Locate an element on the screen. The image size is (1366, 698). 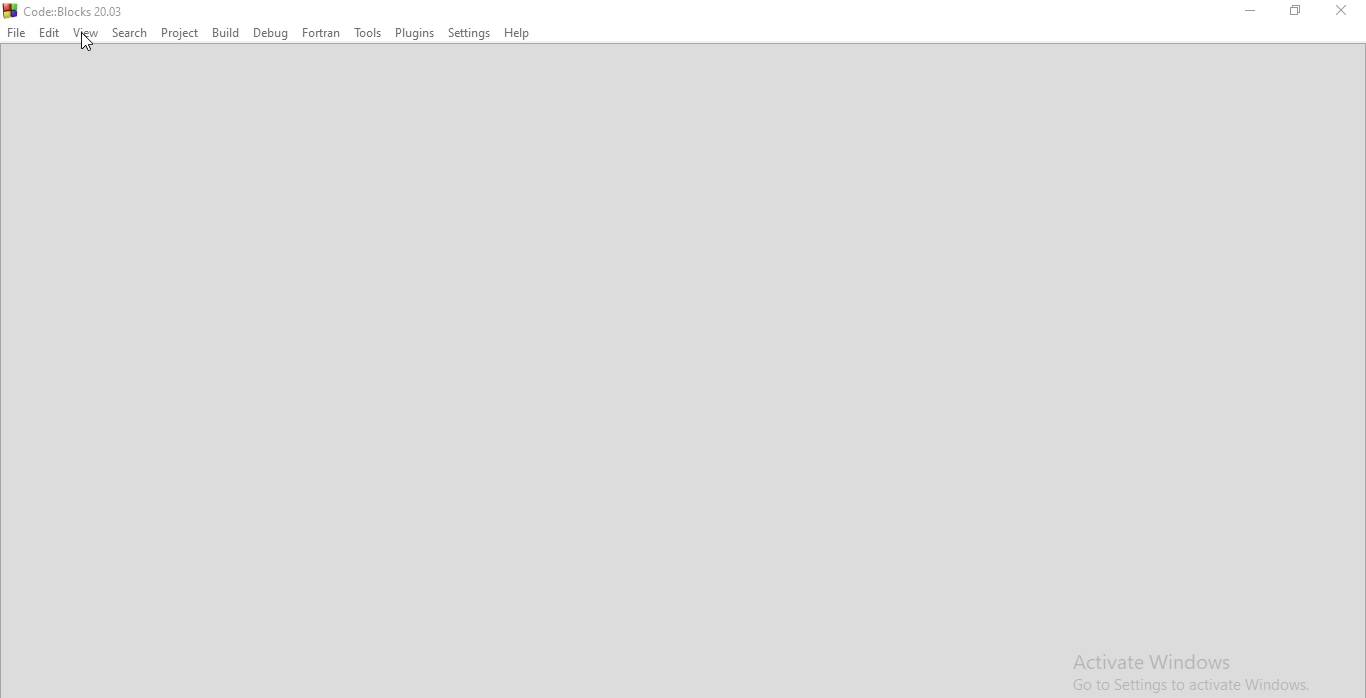
Restore is located at coordinates (1294, 11).